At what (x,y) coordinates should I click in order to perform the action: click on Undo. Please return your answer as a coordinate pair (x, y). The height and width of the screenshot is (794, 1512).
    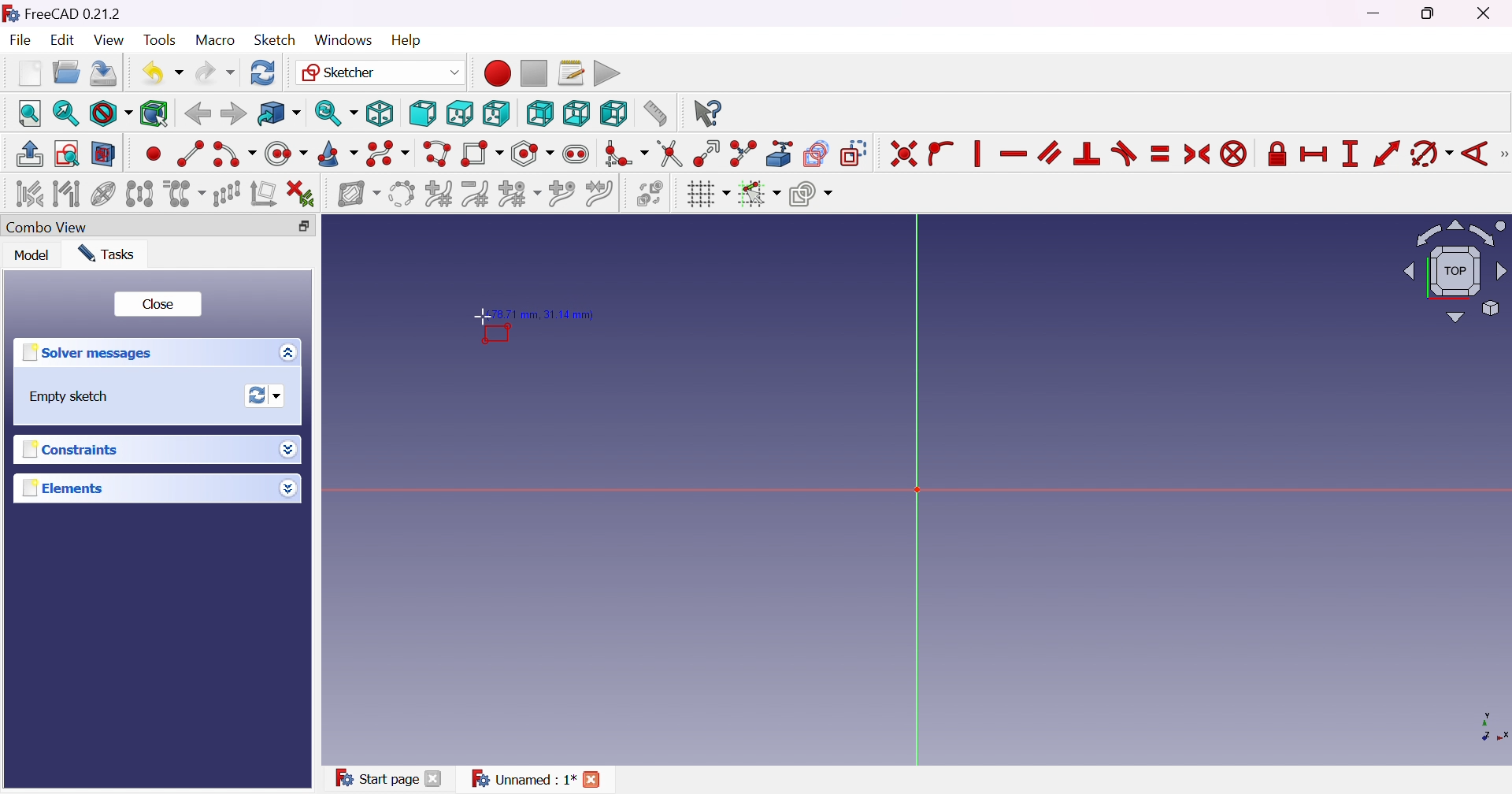
    Looking at the image, I should click on (161, 72).